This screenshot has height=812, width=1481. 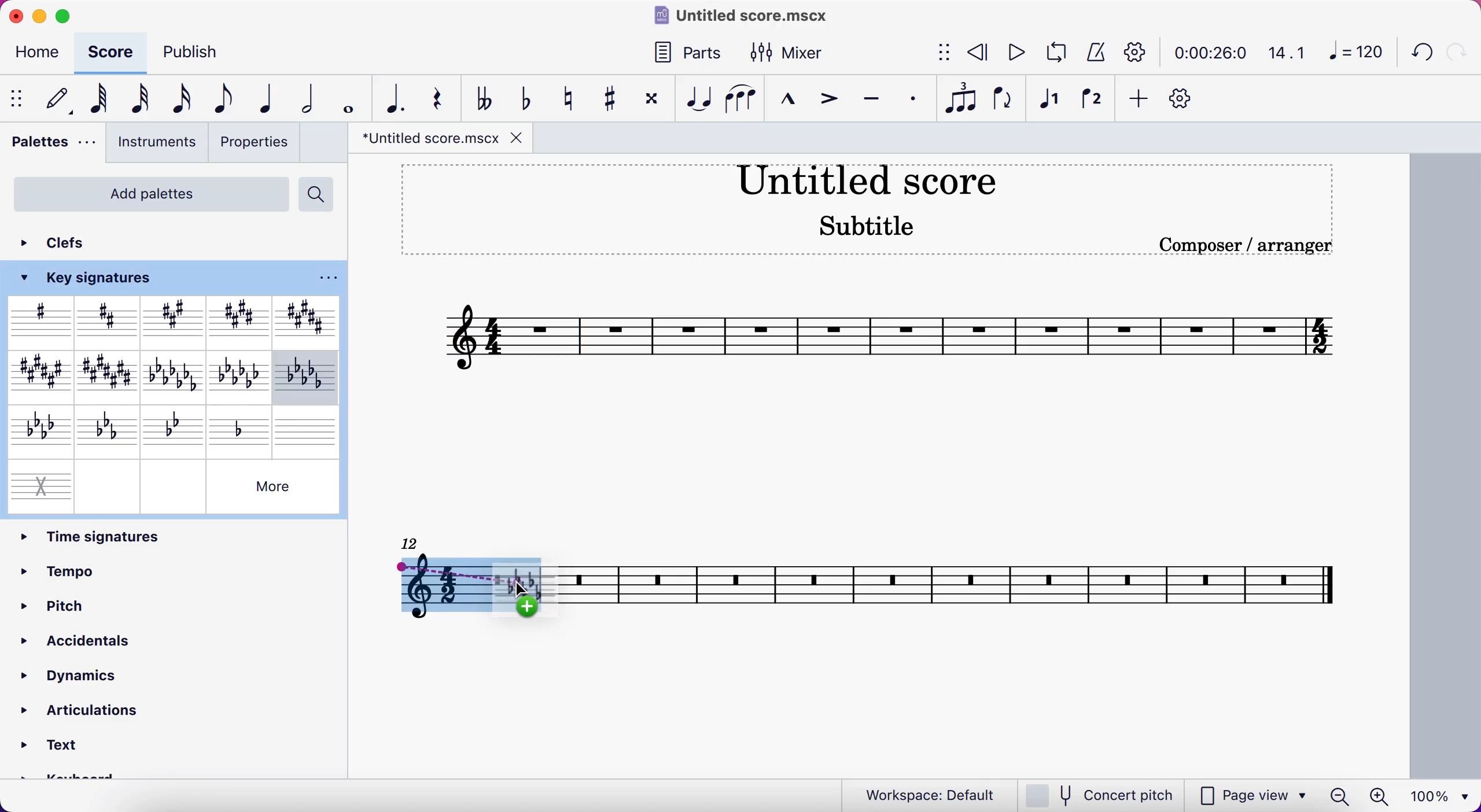 I want to click on flip direction, so click(x=1001, y=102).